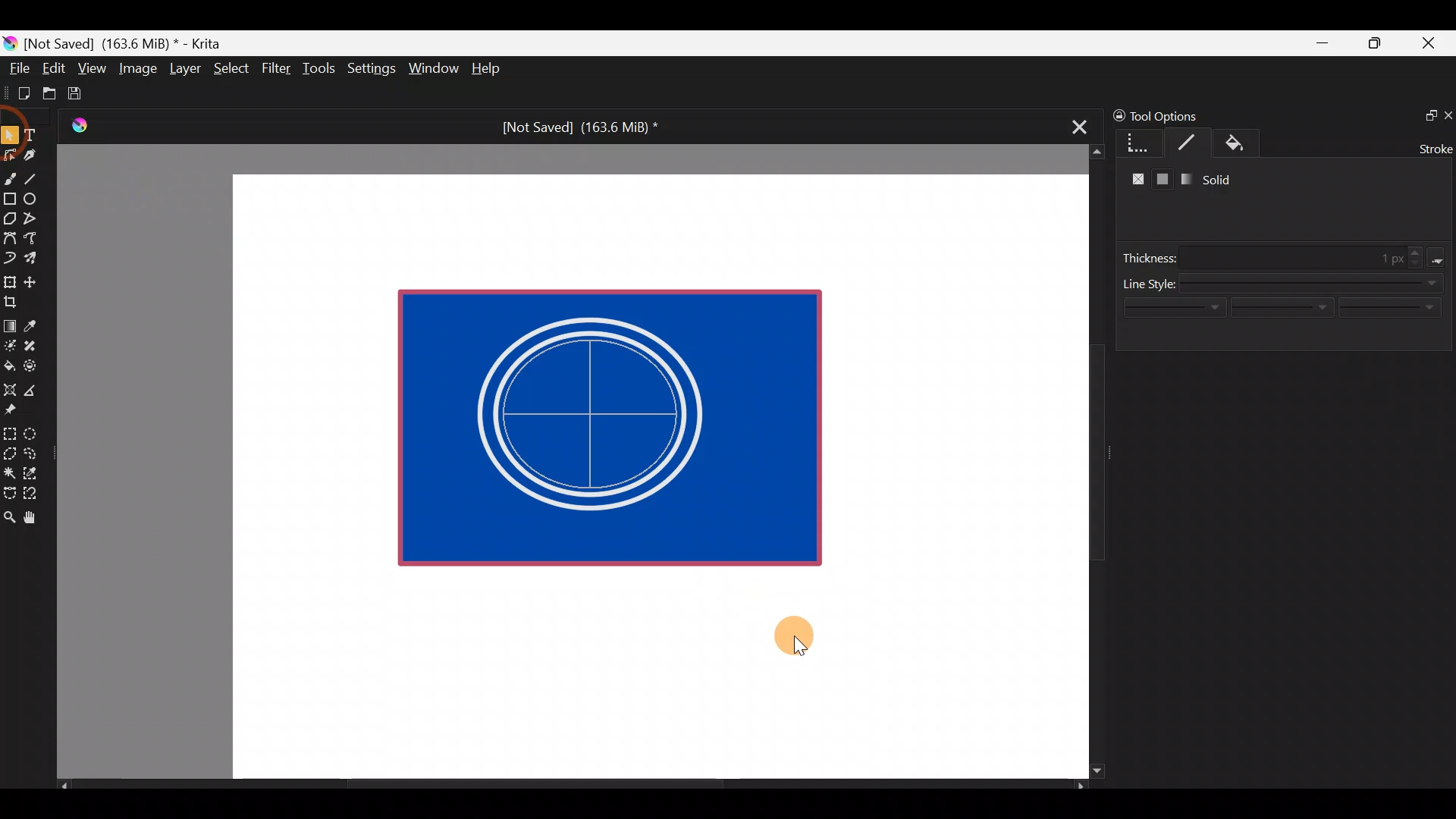  Describe the element at coordinates (277, 67) in the screenshot. I see `Filter` at that location.